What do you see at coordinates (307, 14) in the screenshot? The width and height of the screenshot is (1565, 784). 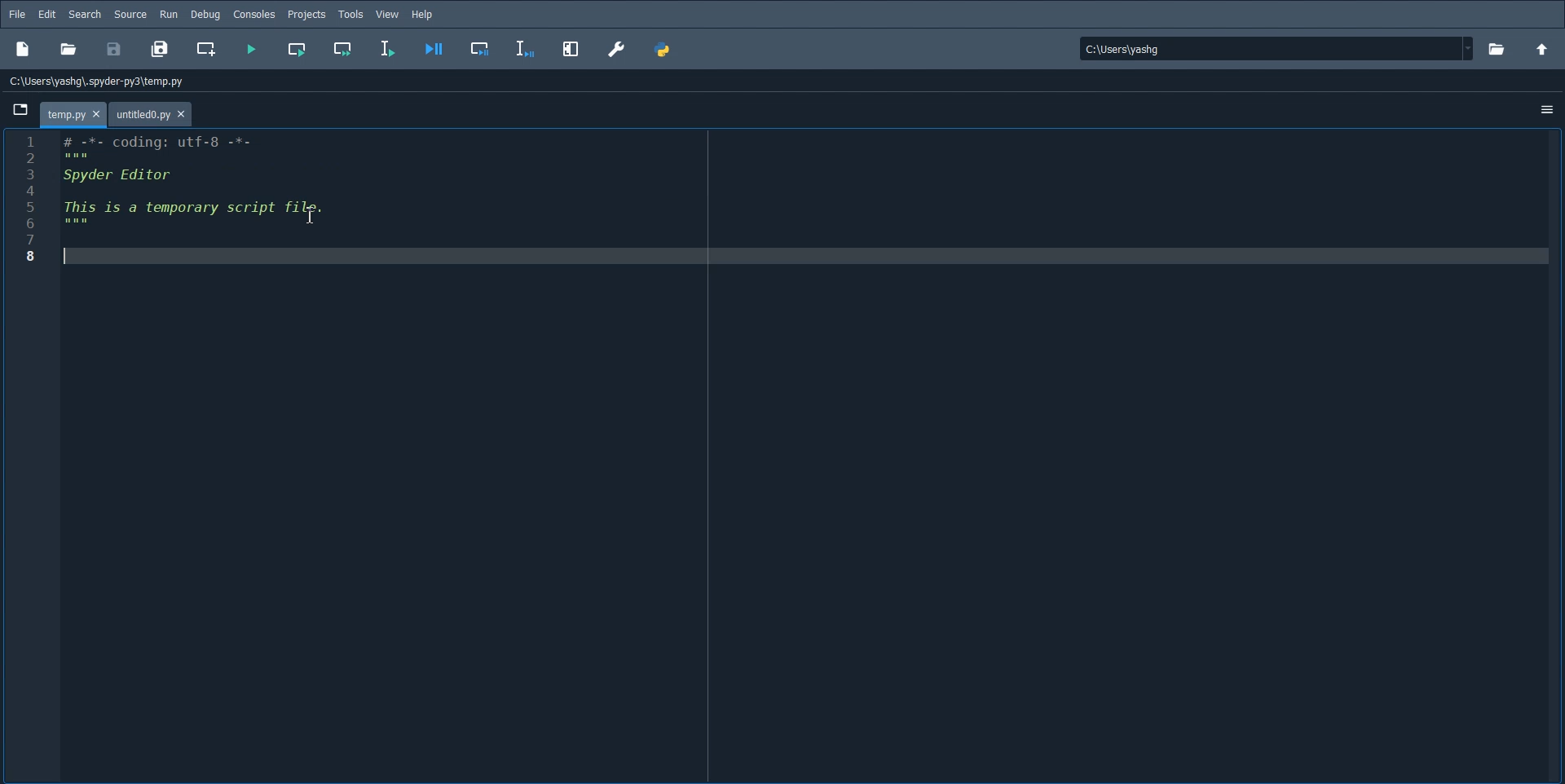 I see `Projects` at bounding box center [307, 14].